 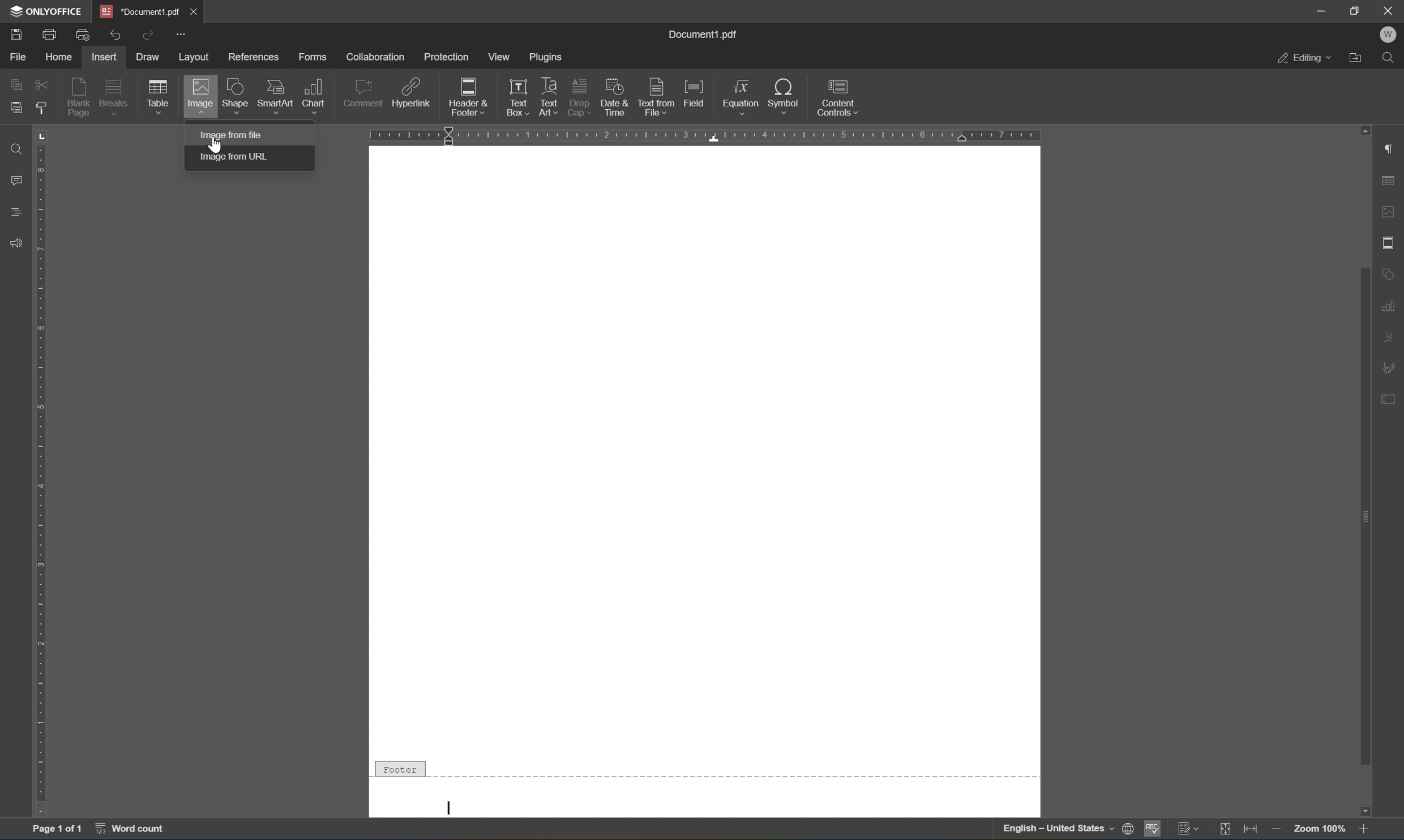 What do you see at coordinates (705, 34) in the screenshot?
I see `document1.pdf` at bounding box center [705, 34].